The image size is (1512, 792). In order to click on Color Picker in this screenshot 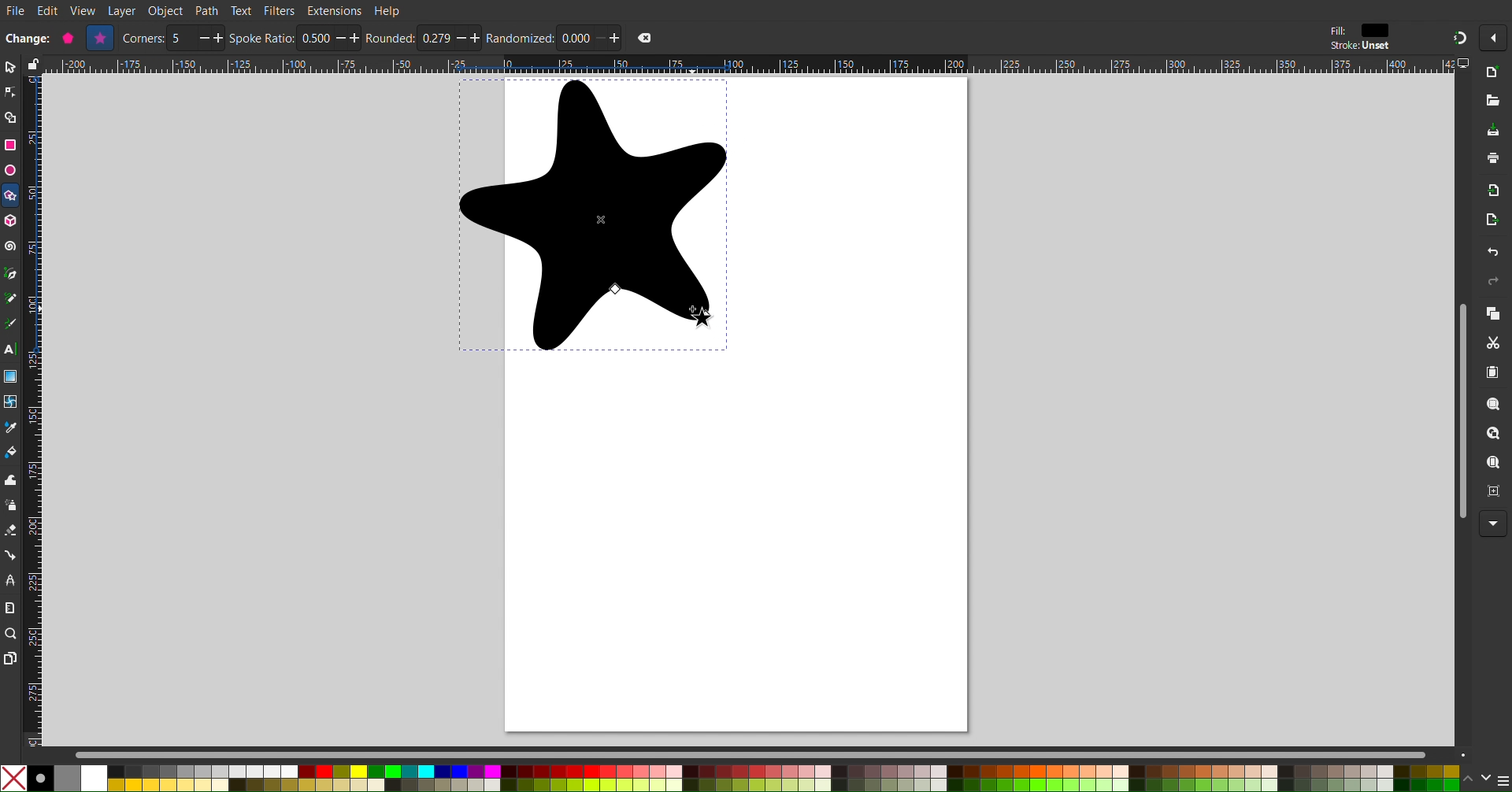, I will do `click(11, 429)`.